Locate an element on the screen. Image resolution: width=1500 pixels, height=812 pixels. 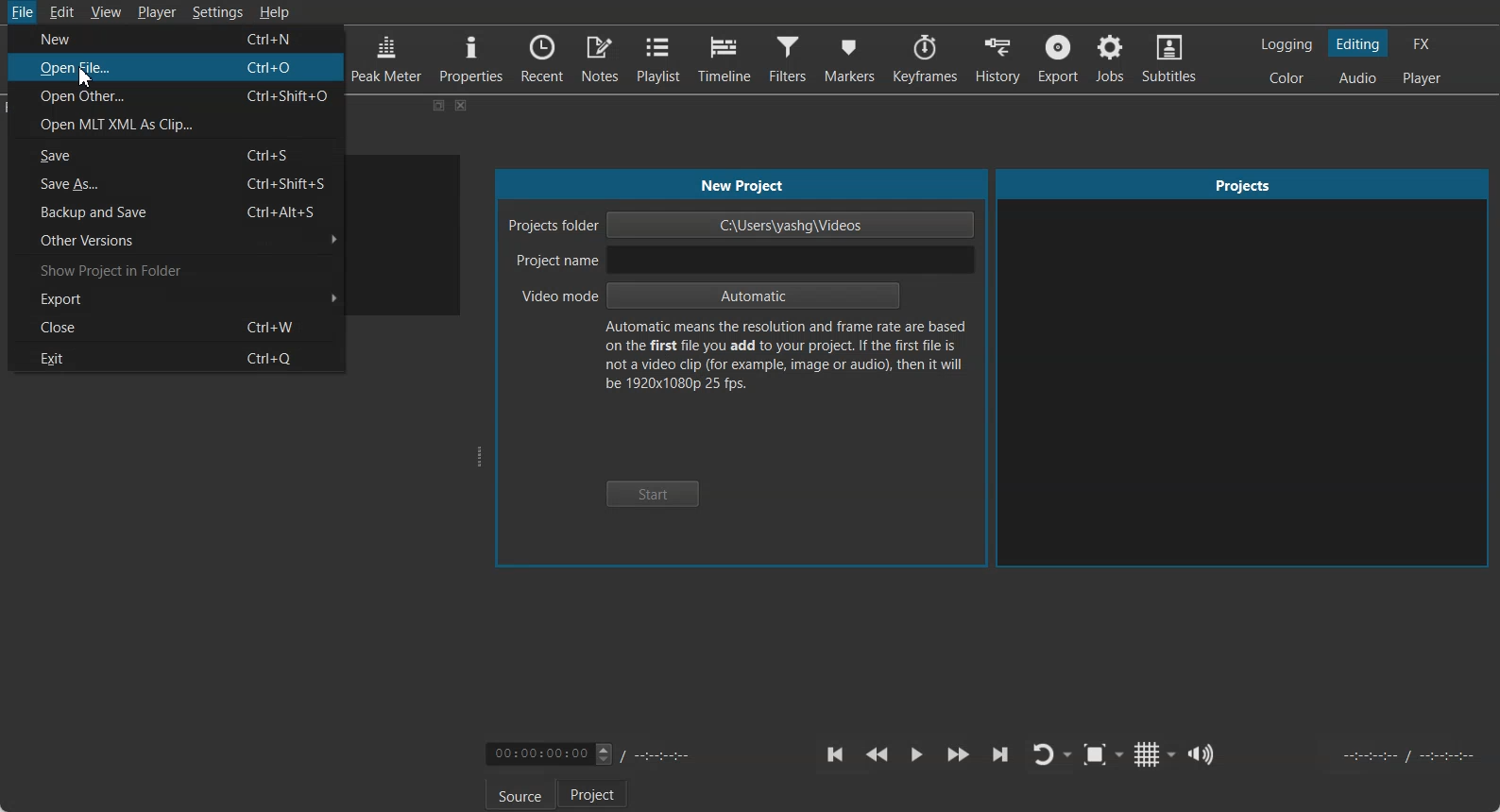
Ctrl+W is located at coordinates (275, 327).